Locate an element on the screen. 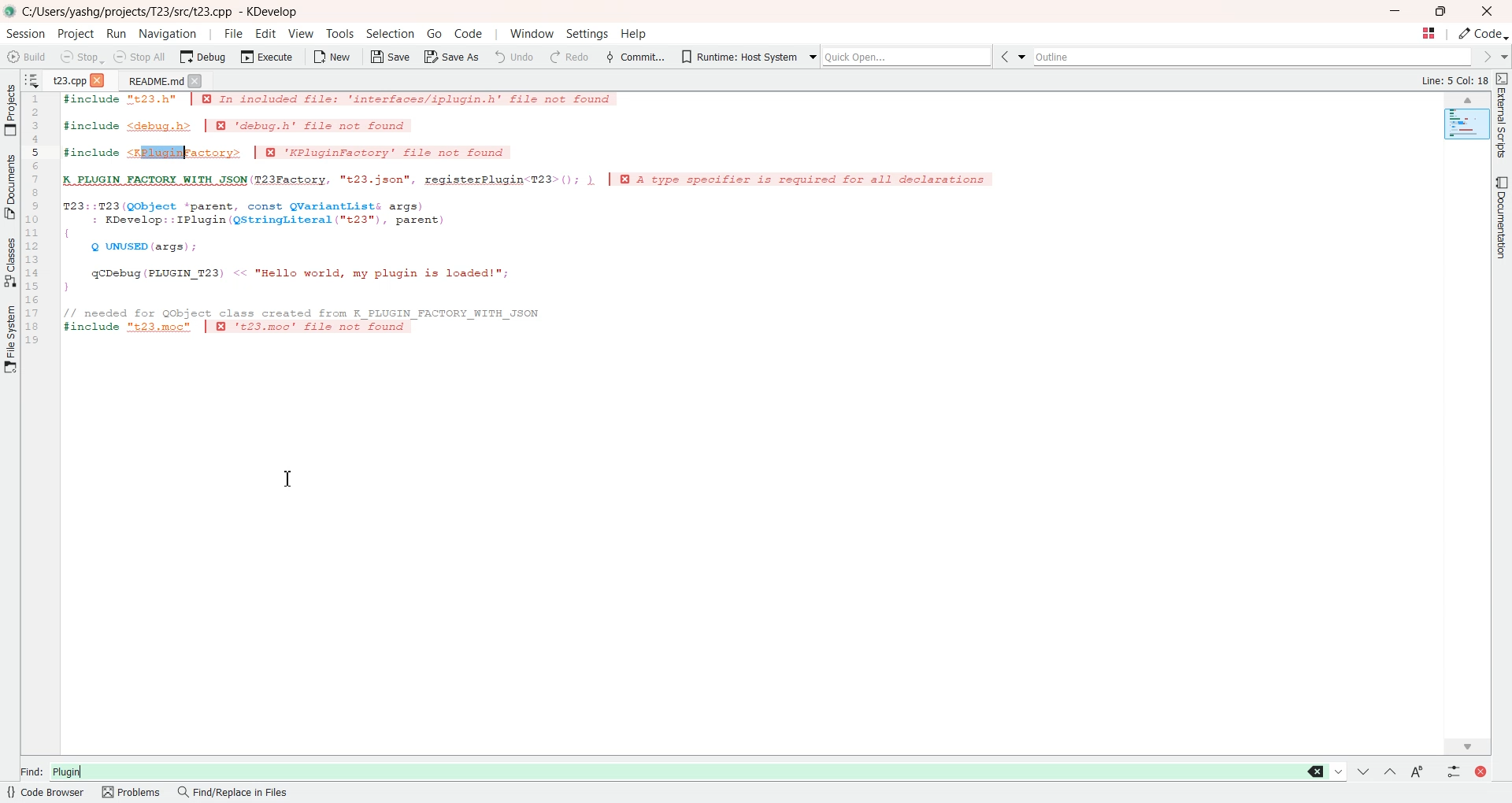 This screenshot has height=803, width=1512. Down is located at coordinates (1339, 771).